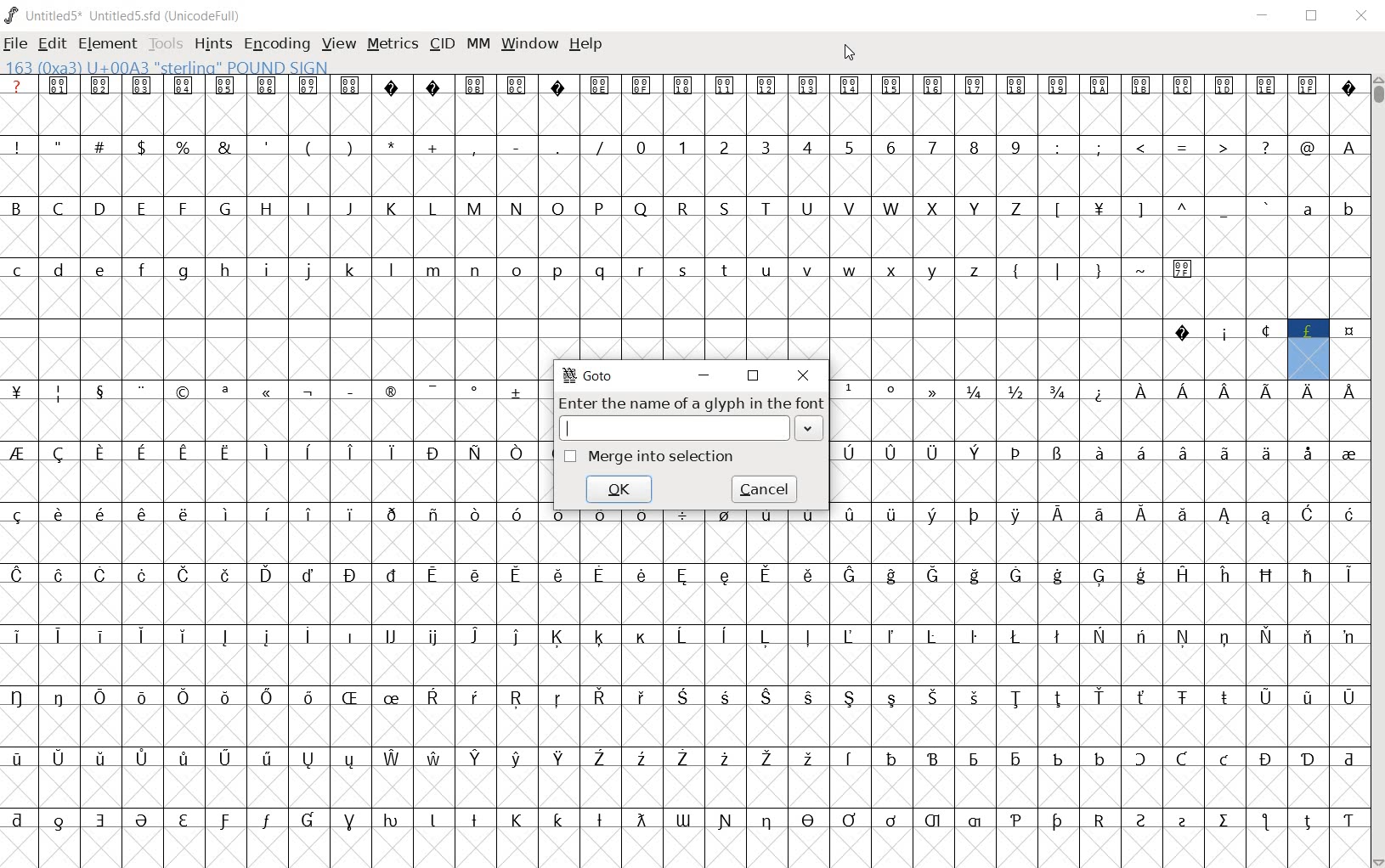  I want to click on WINDOW, so click(531, 45).